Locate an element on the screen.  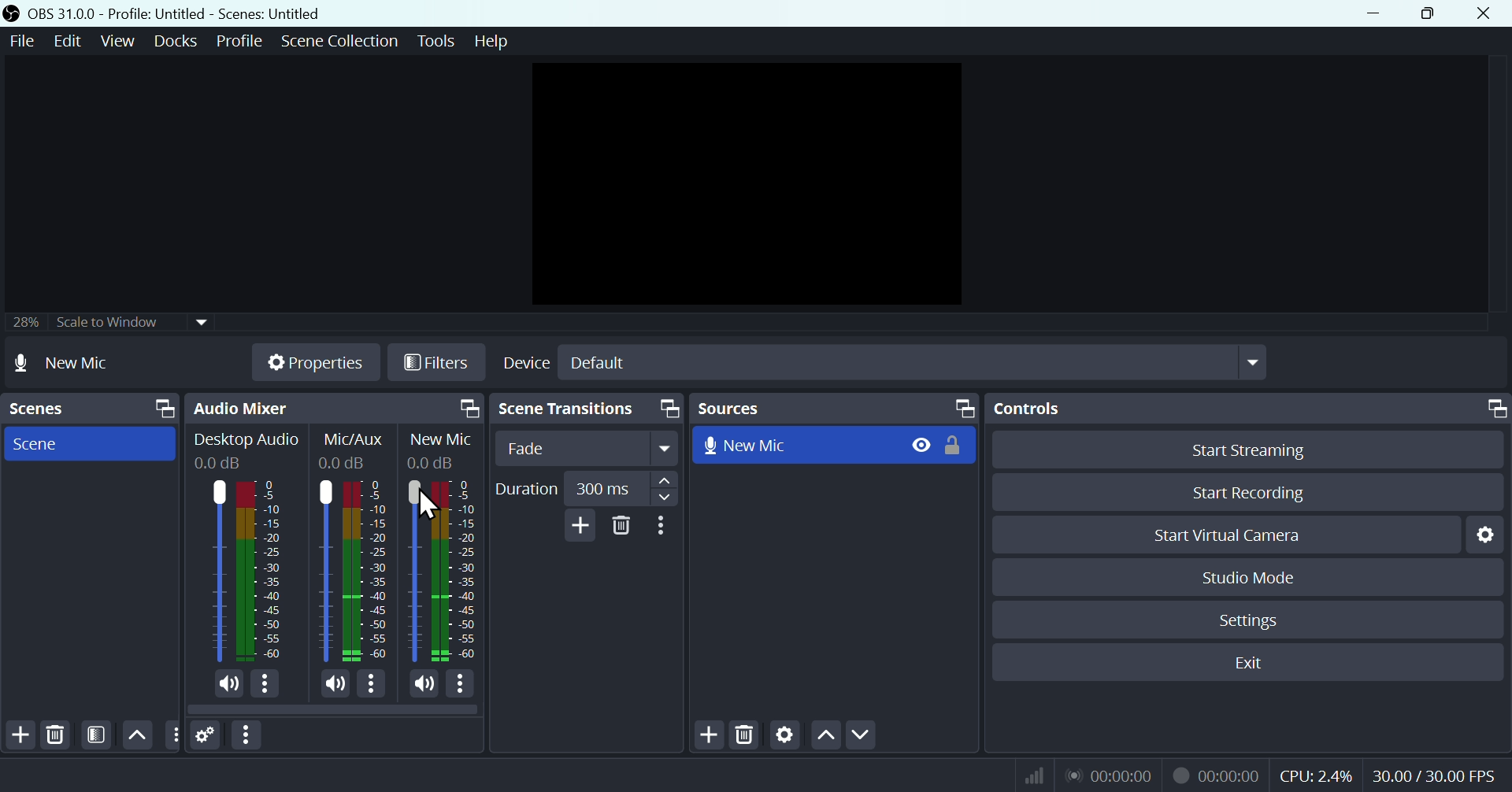
Scene collection is located at coordinates (343, 43).